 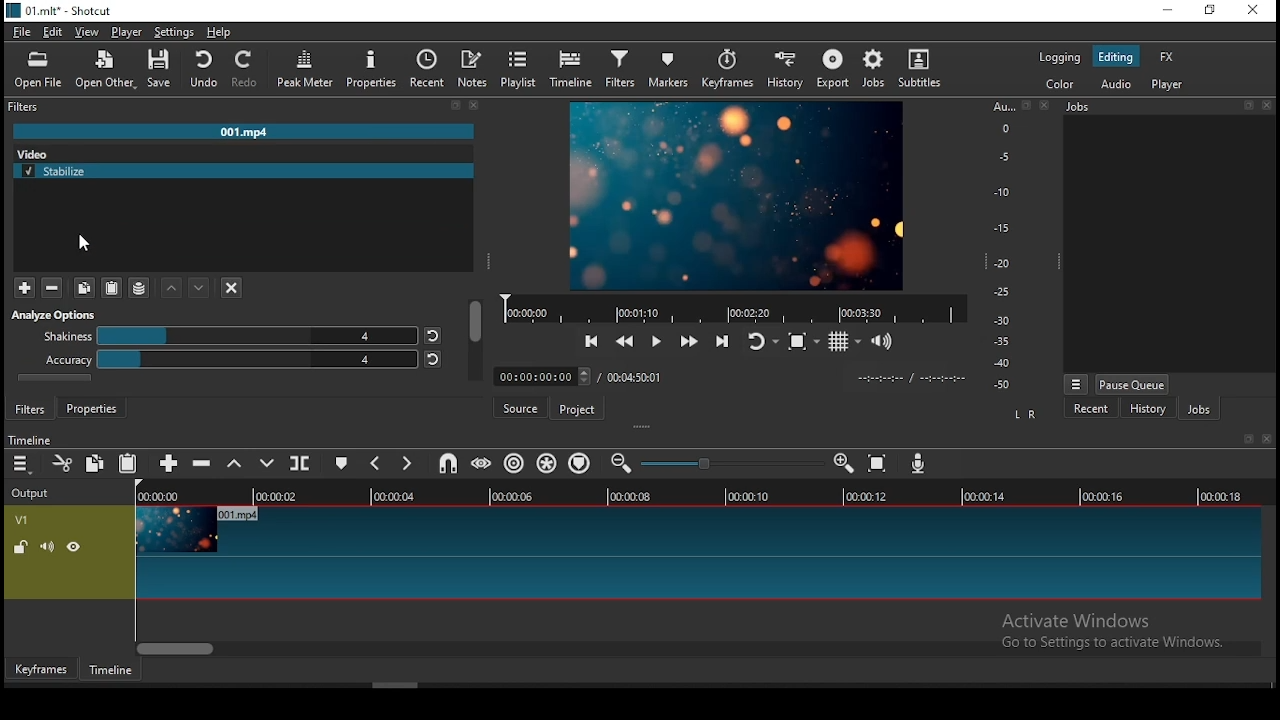 What do you see at coordinates (845, 463) in the screenshot?
I see `zoom timeline` at bounding box center [845, 463].